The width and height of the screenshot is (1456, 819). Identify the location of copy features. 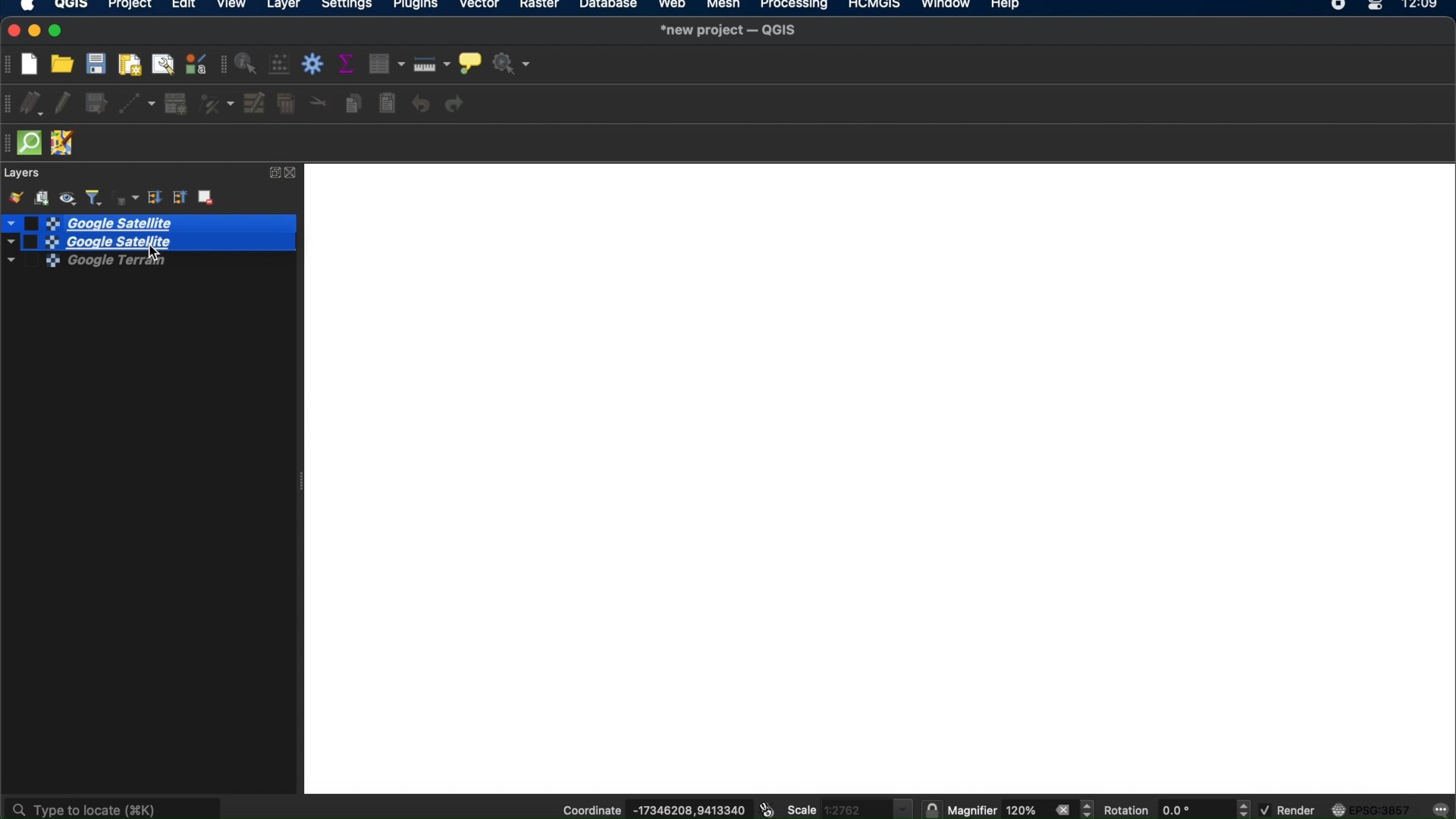
(353, 103).